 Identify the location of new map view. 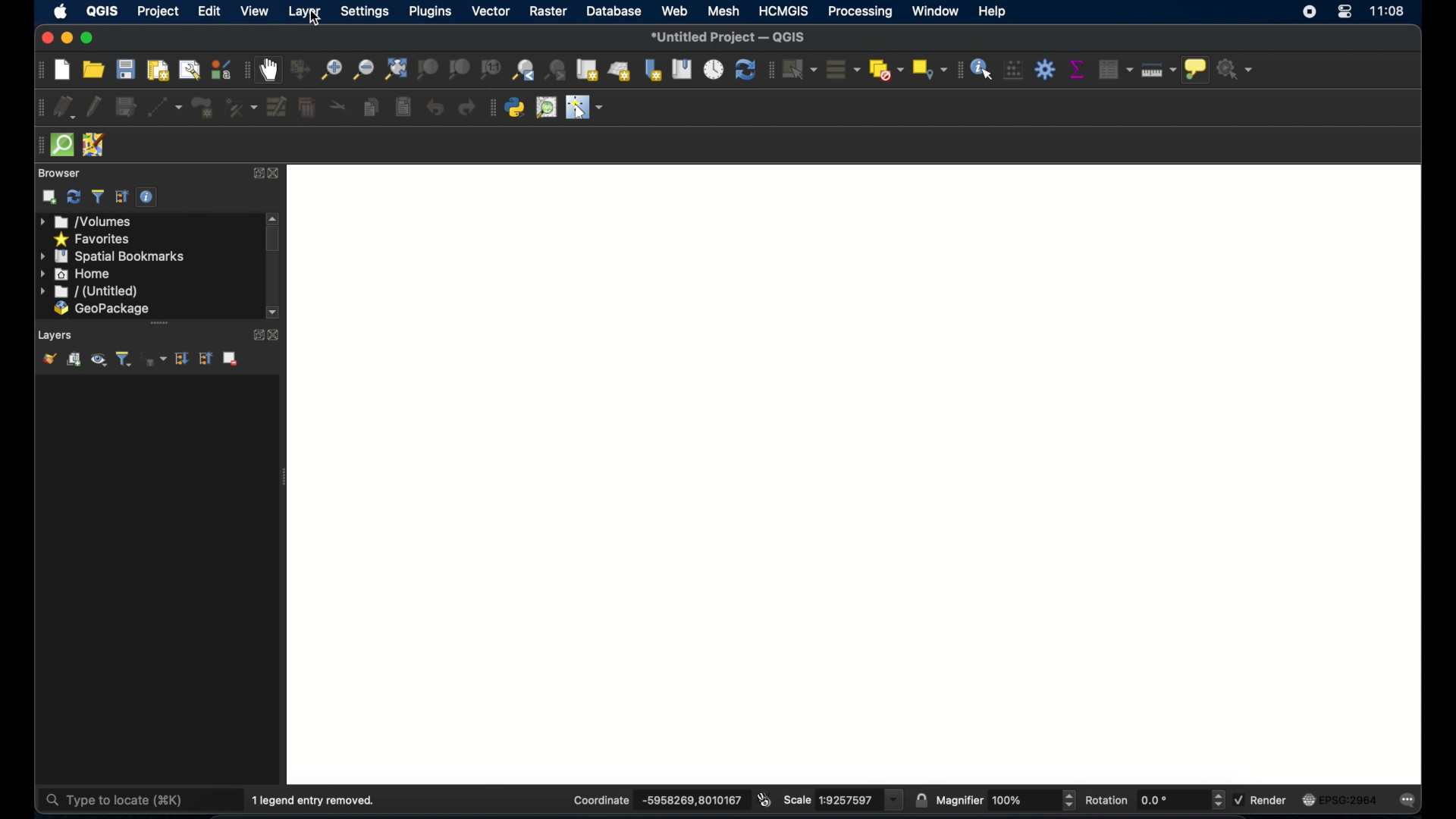
(588, 70).